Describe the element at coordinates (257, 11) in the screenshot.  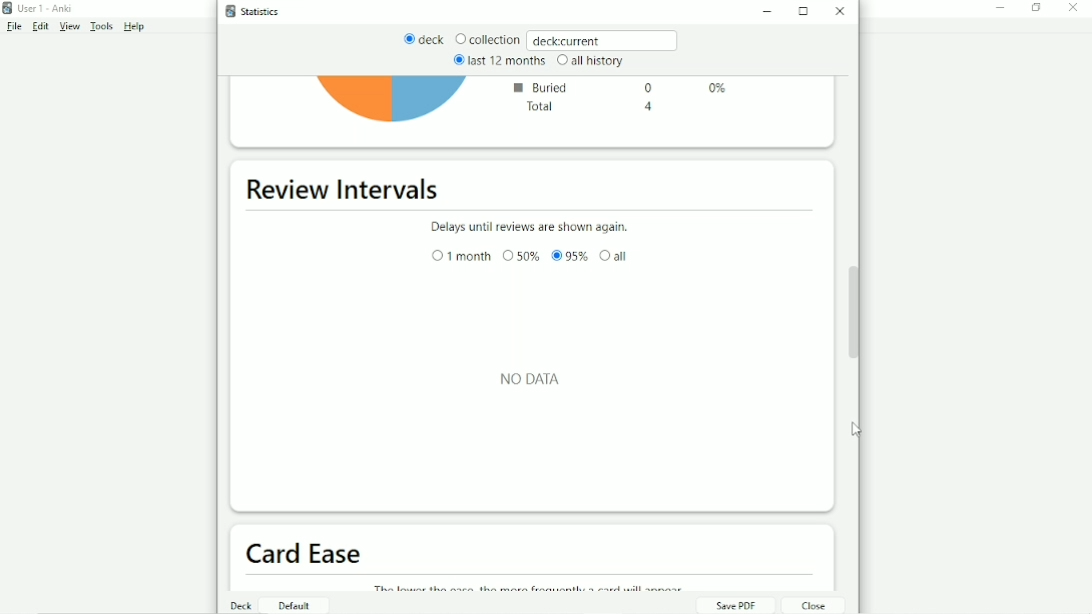
I see `Statistics` at that location.